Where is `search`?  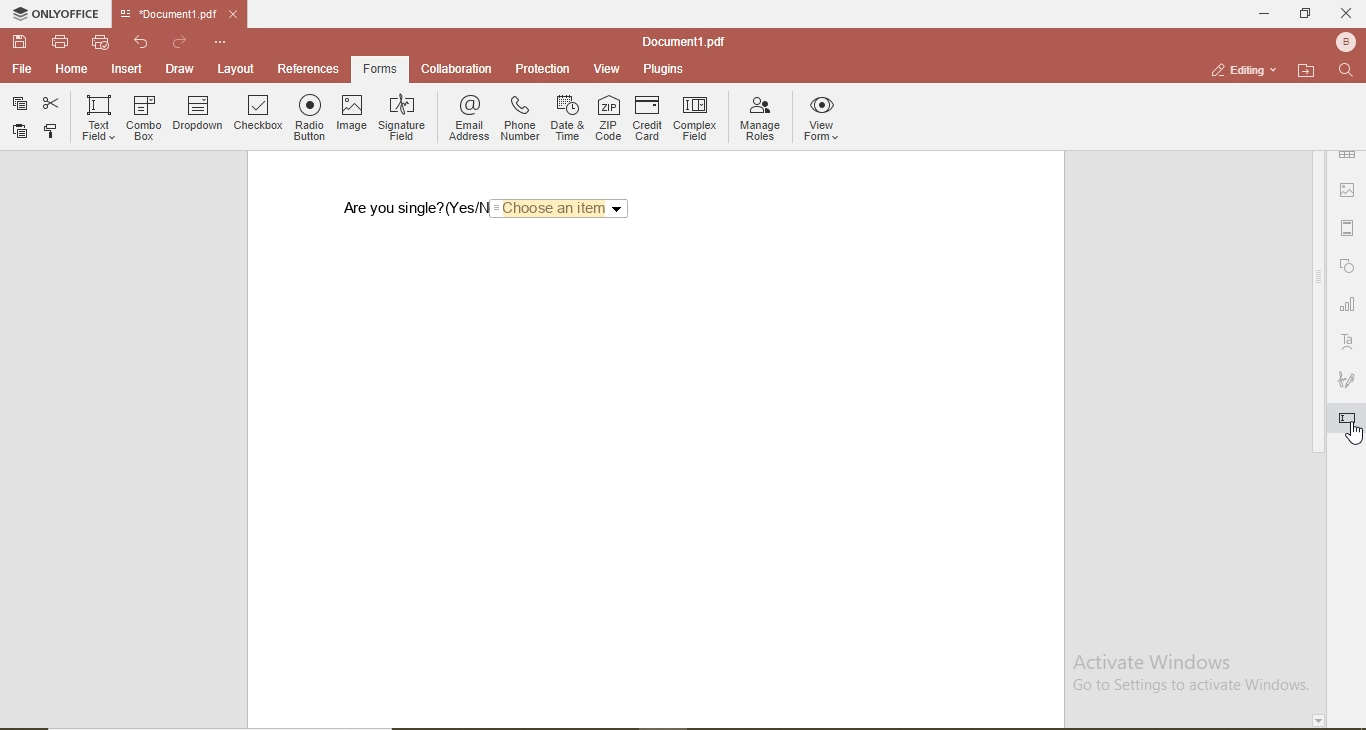
search is located at coordinates (1349, 73).